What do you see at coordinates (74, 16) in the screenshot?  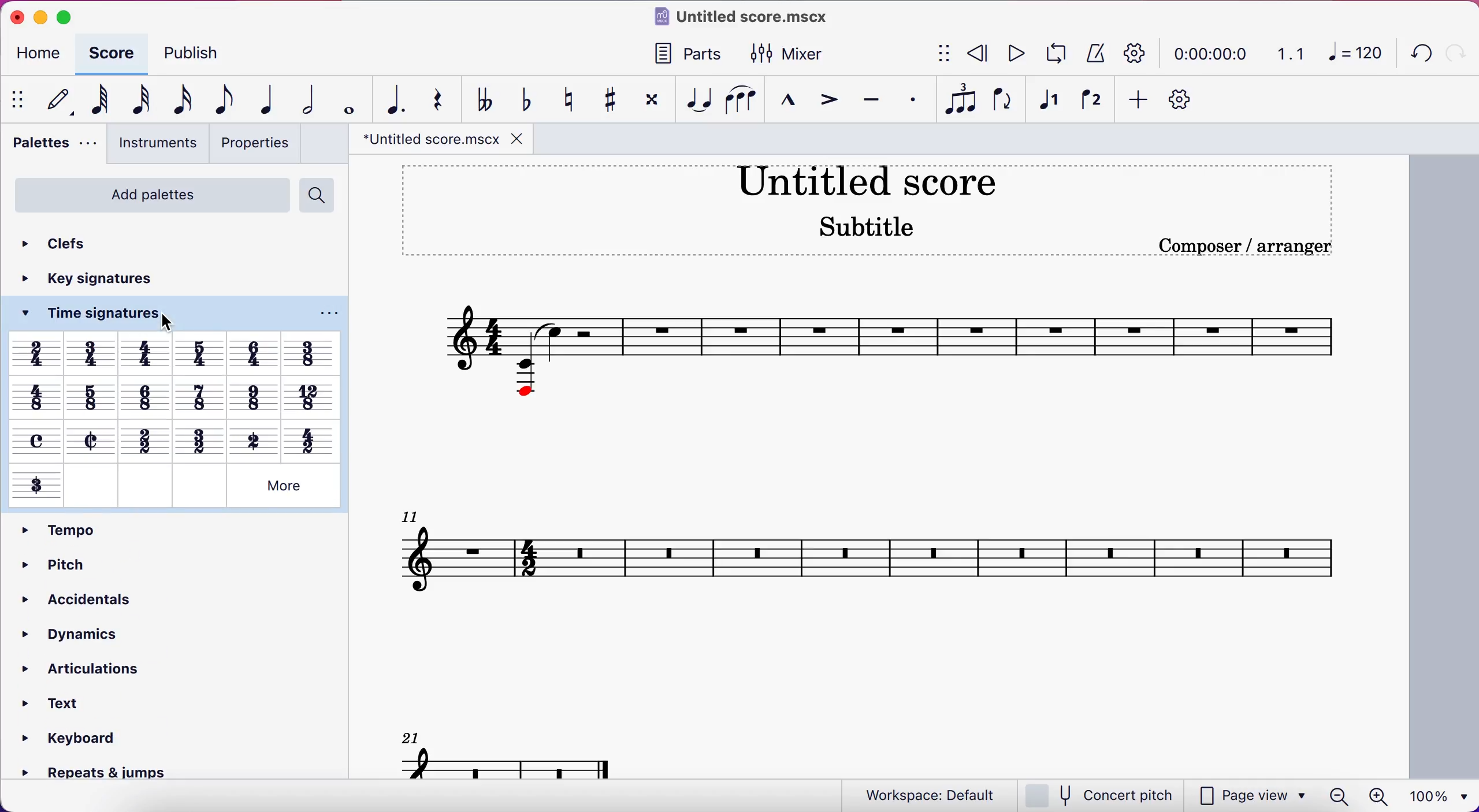 I see `maximize` at bounding box center [74, 16].